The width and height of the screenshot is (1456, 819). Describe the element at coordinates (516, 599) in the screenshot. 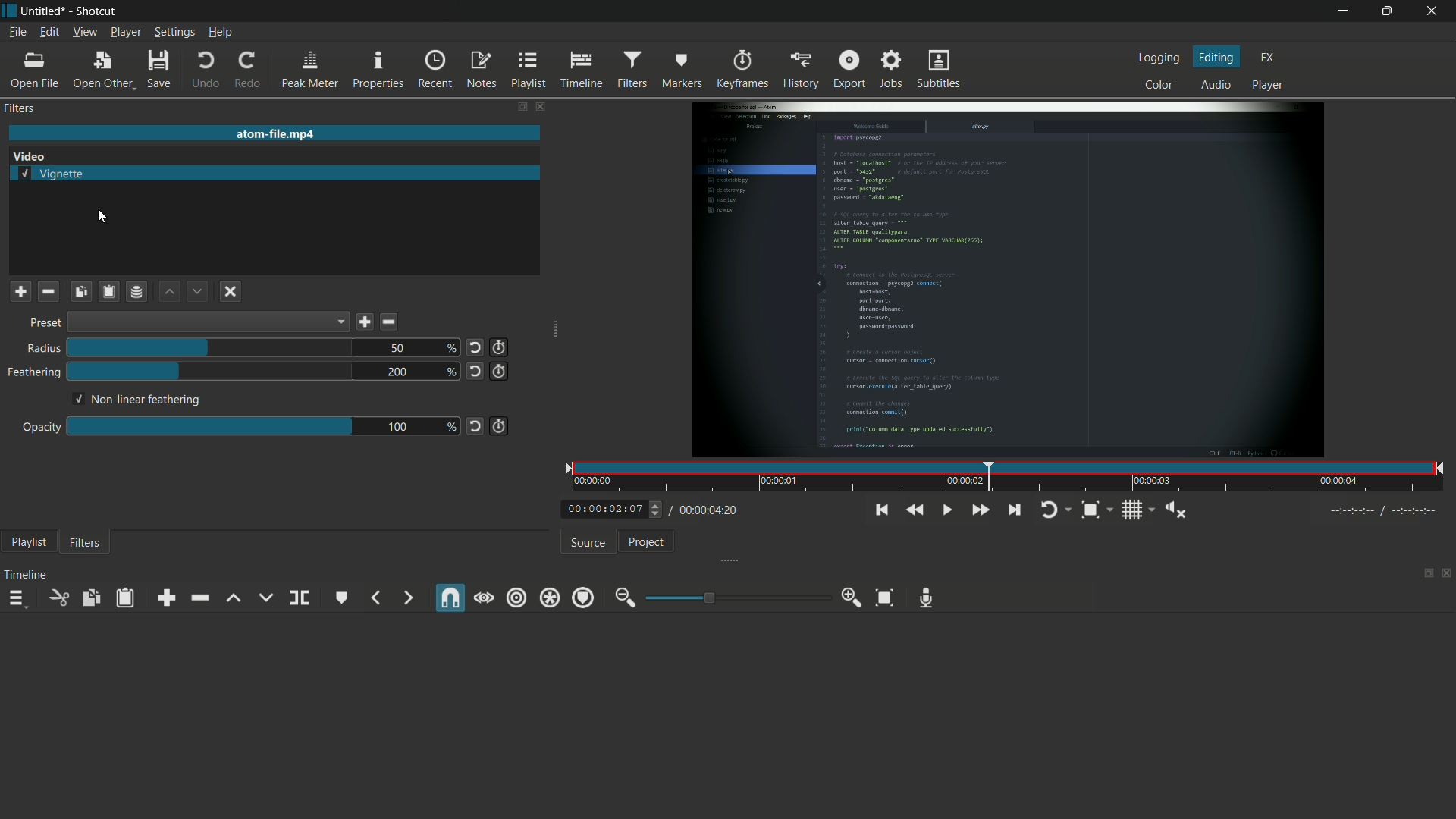

I see `ripple` at that location.